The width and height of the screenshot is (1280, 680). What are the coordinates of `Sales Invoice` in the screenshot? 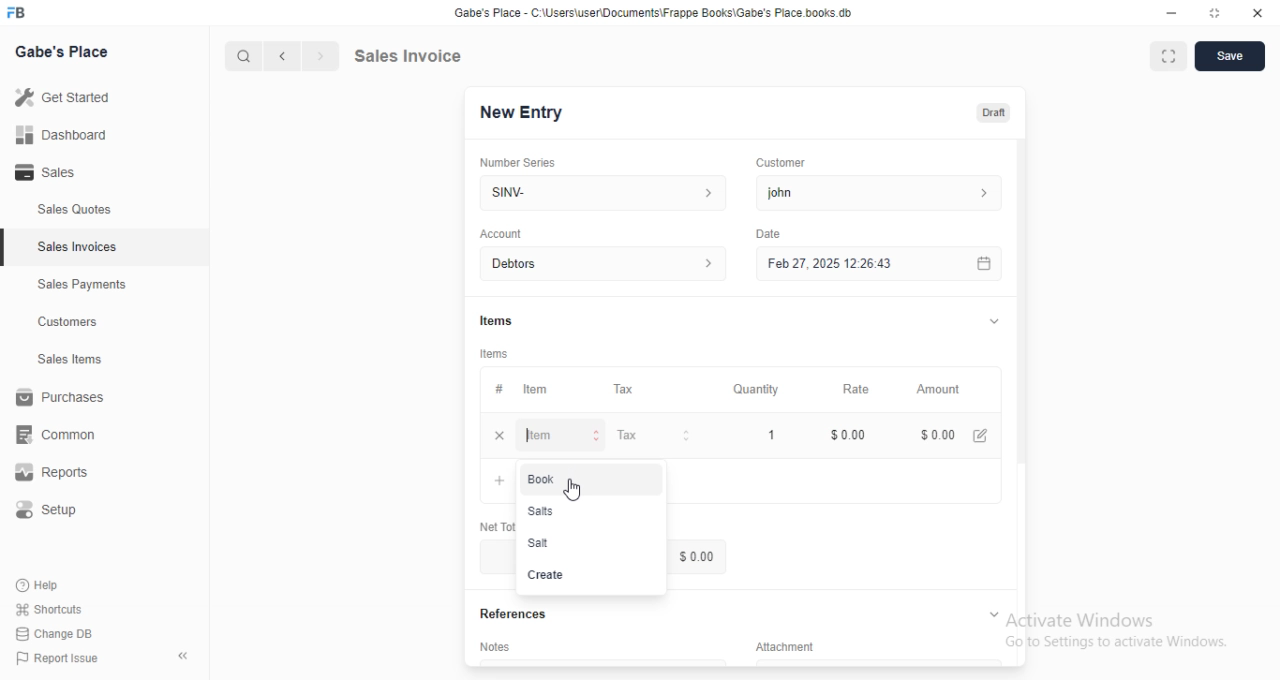 It's located at (451, 56).